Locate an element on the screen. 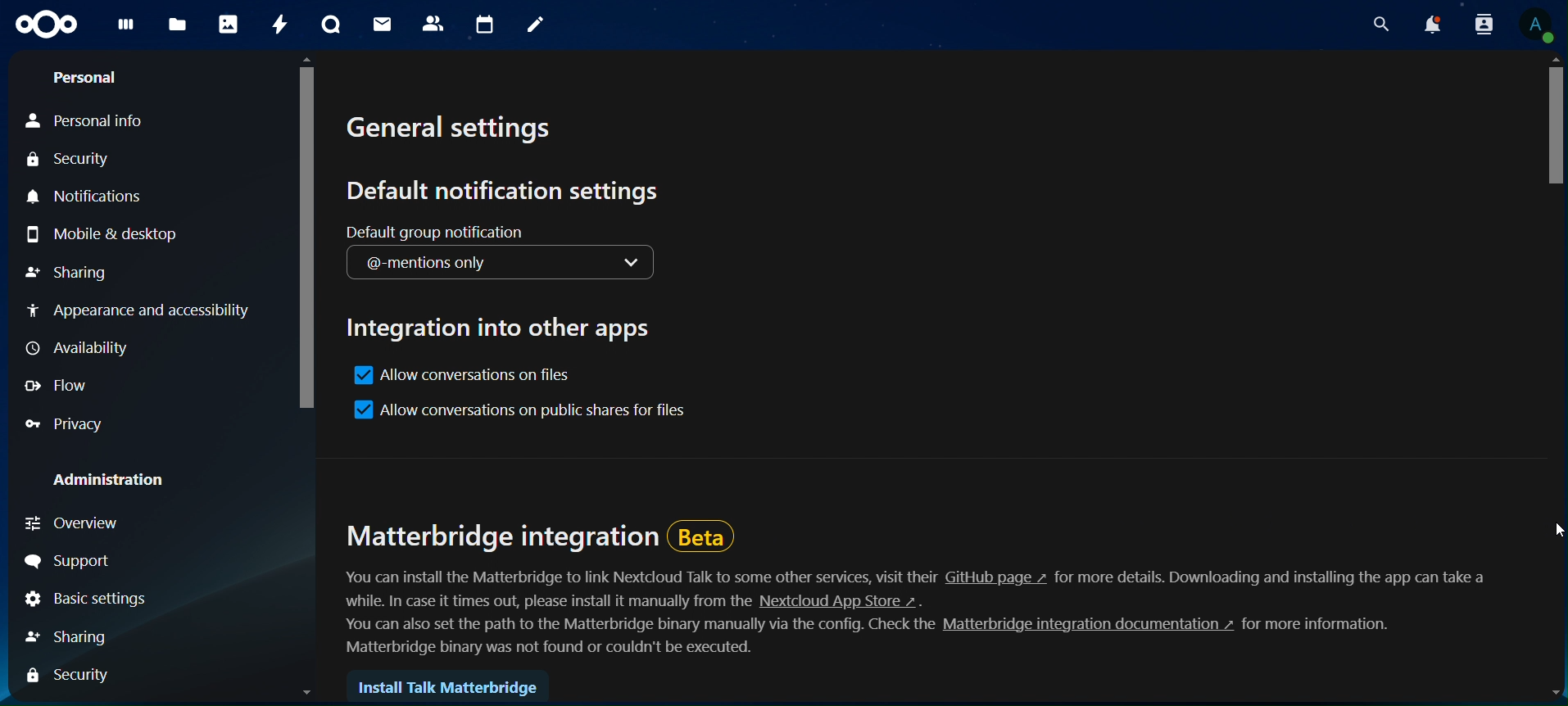 The height and width of the screenshot is (706, 1568). Notifications is located at coordinates (84, 197).